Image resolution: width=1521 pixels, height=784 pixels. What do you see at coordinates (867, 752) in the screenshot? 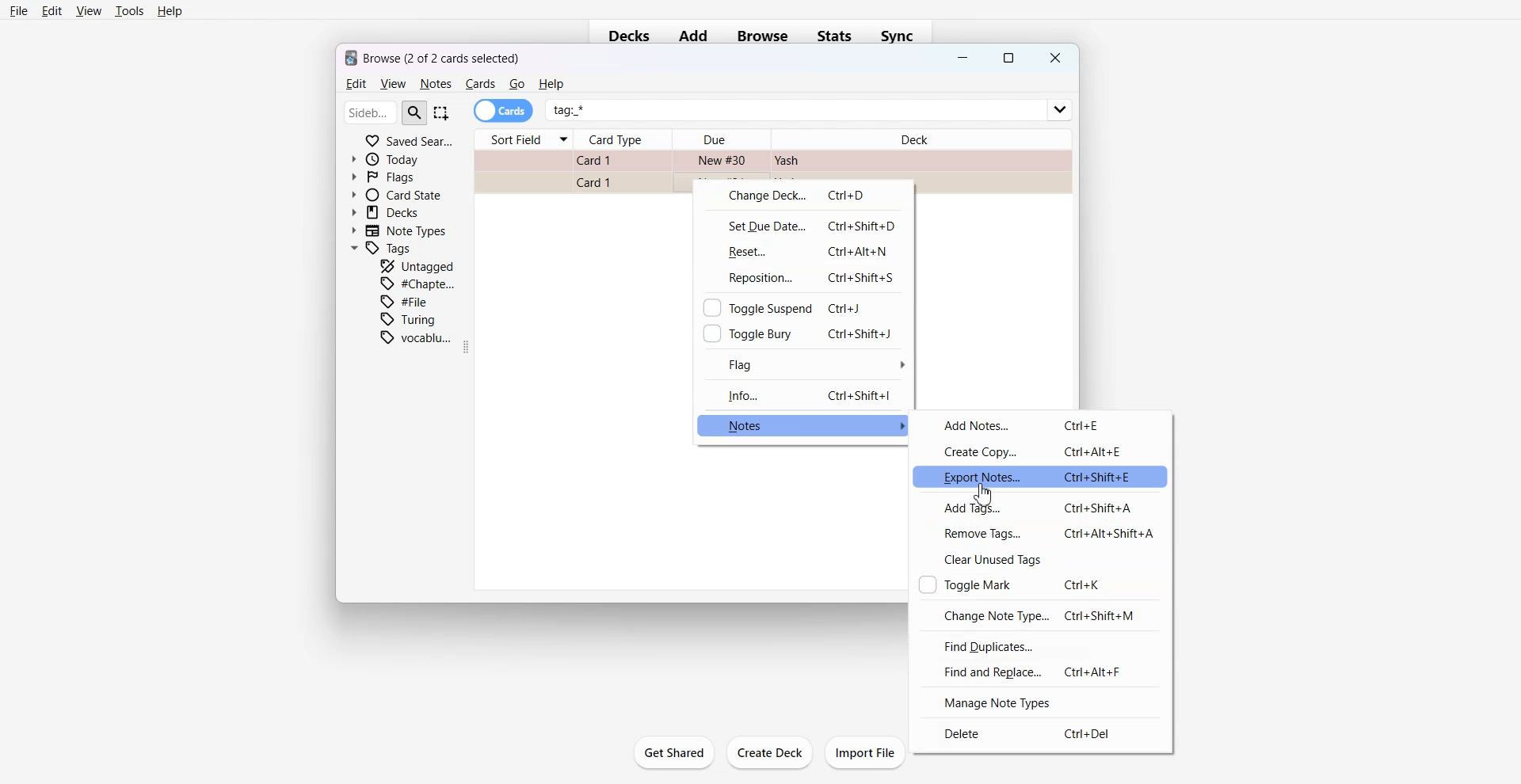
I see `Import File` at bounding box center [867, 752].